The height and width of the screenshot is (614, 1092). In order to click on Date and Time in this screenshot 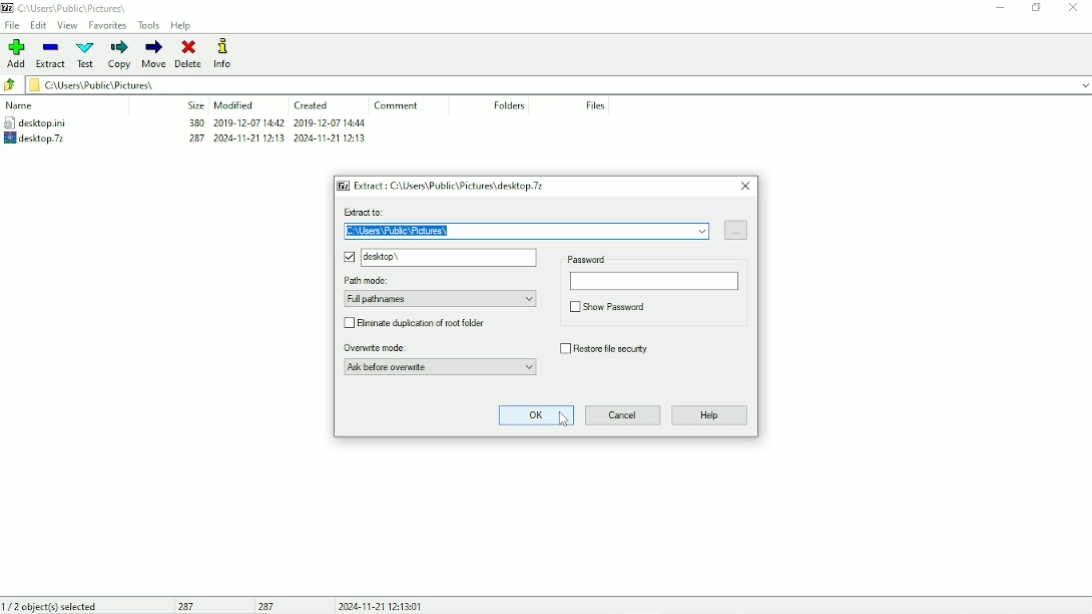, I will do `click(383, 606)`.